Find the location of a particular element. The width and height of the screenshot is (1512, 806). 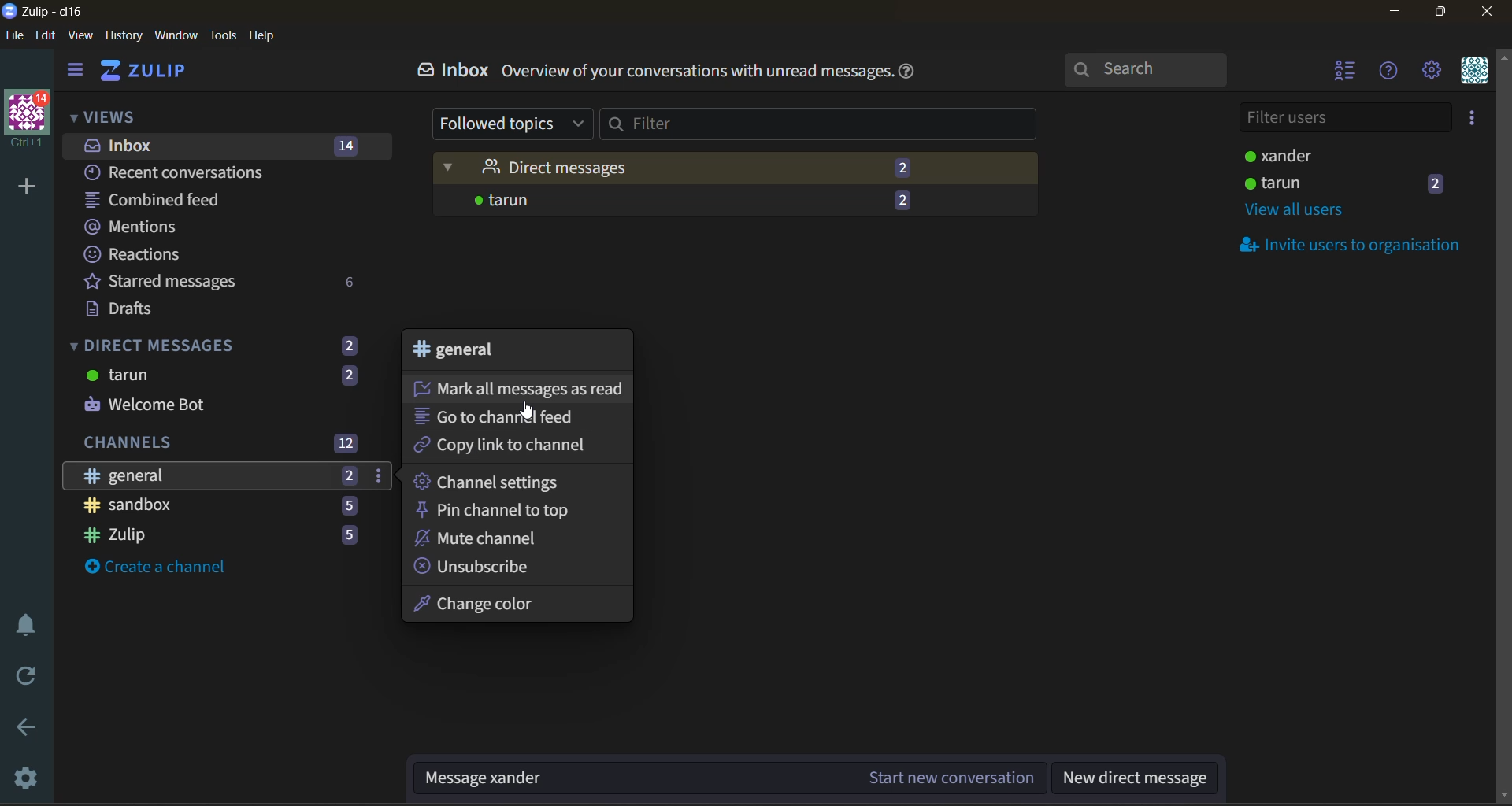

help menu is located at coordinates (1392, 70).